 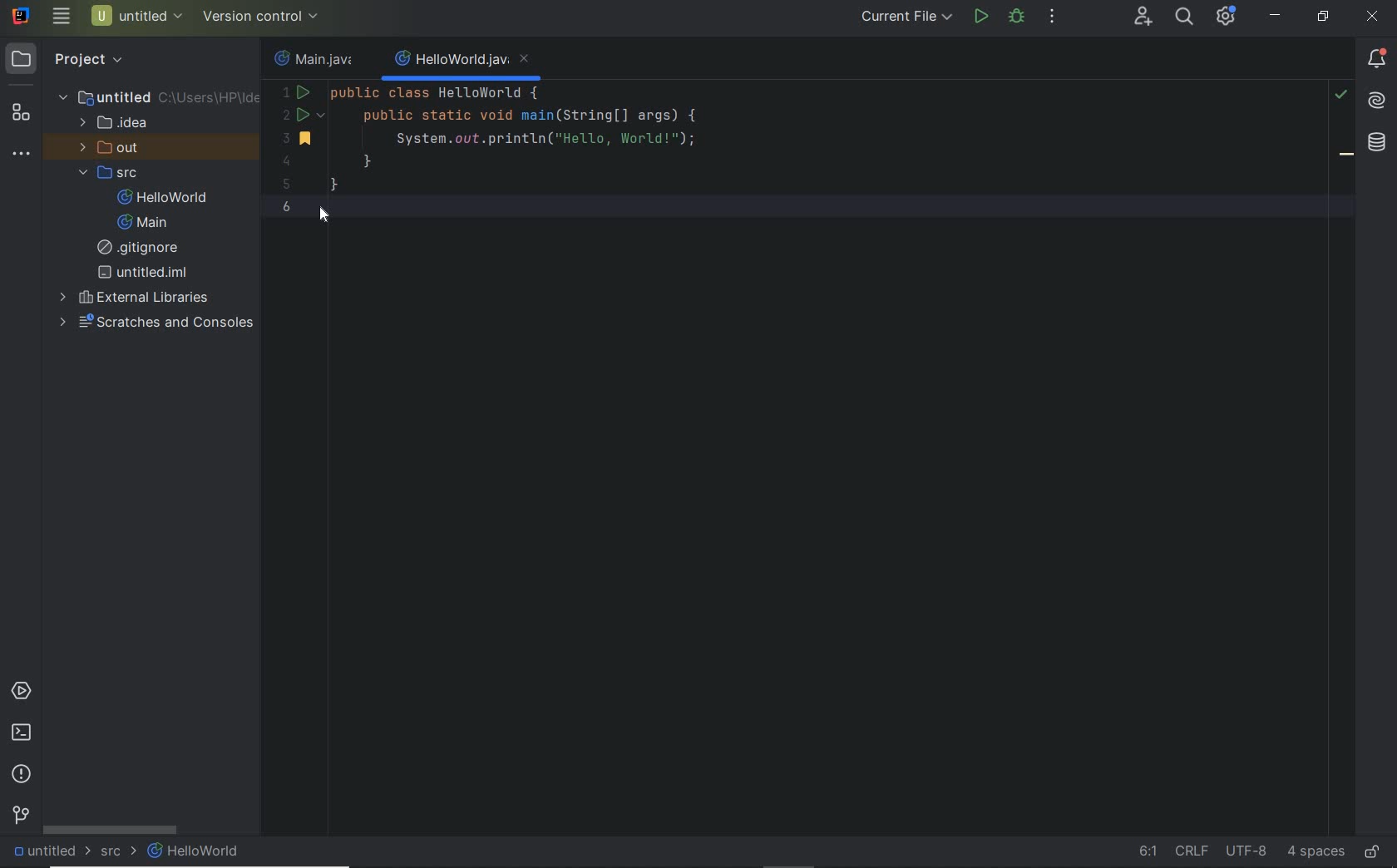 What do you see at coordinates (501, 135) in the screenshot?
I see `code` at bounding box center [501, 135].